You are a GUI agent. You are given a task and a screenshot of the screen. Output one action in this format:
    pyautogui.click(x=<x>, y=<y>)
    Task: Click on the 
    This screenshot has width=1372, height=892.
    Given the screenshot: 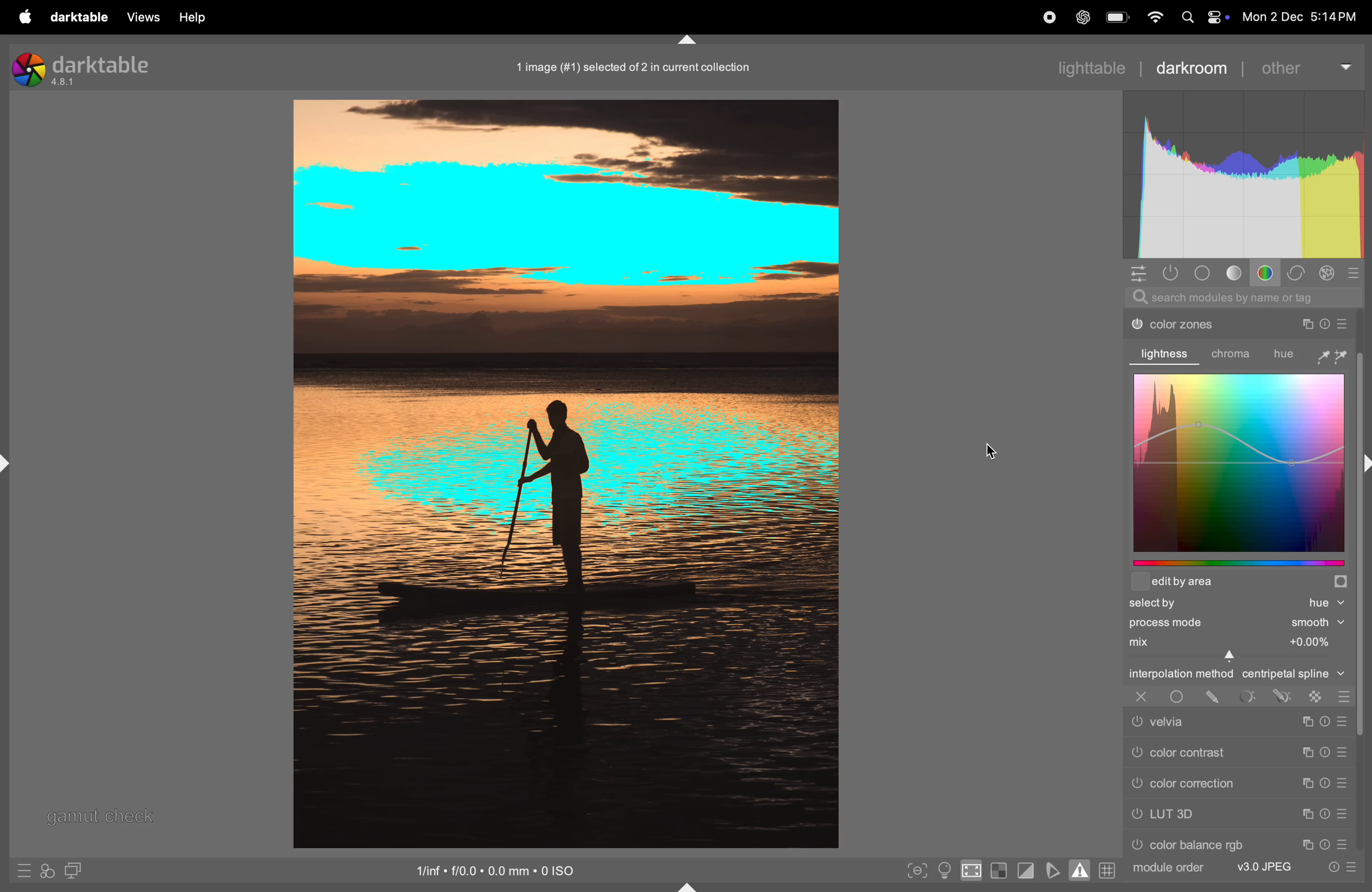 What is the action you would take?
    pyautogui.click(x=1317, y=697)
    